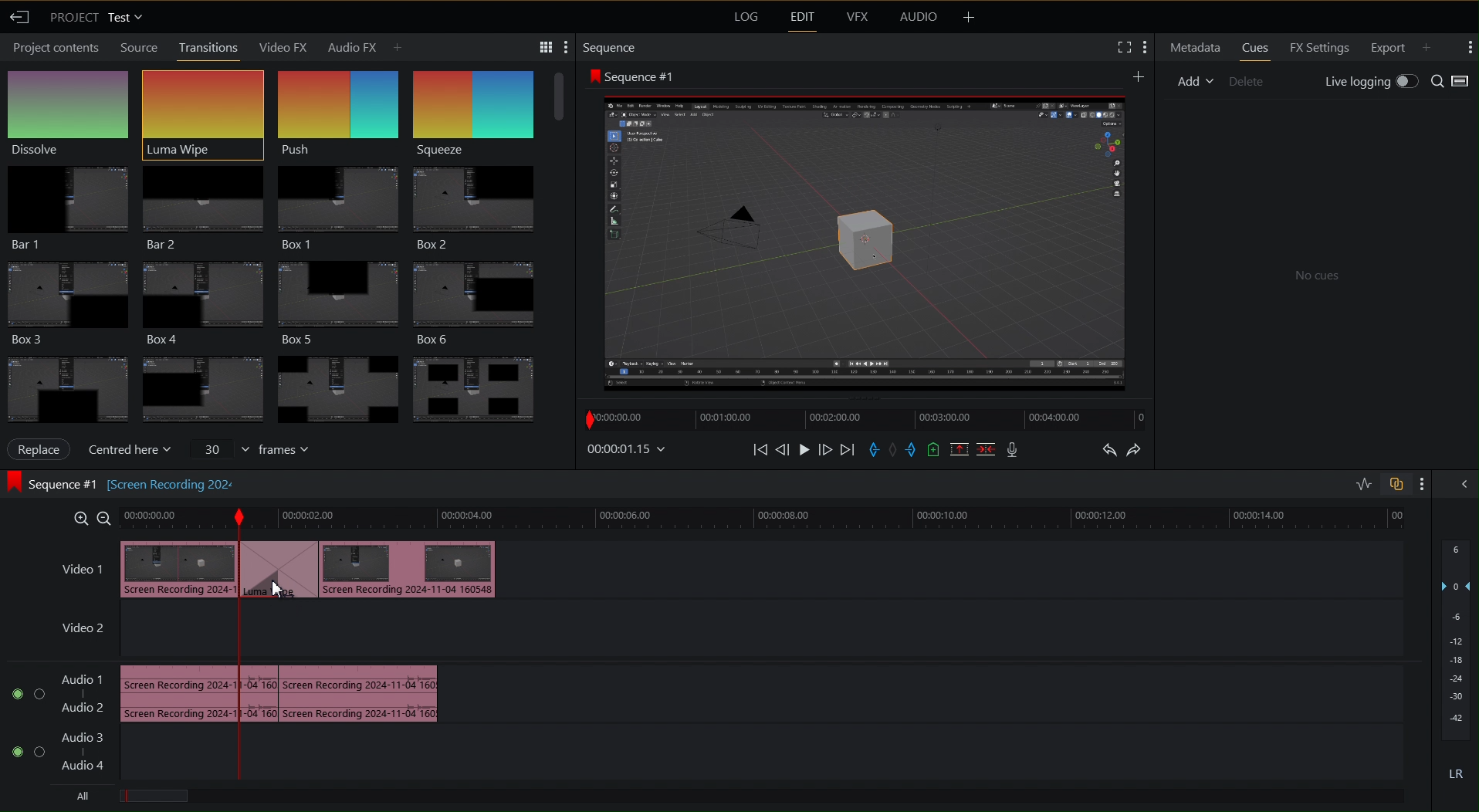 The image size is (1479, 812). What do you see at coordinates (130, 449) in the screenshot?
I see `Centered here` at bounding box center [130, 449].